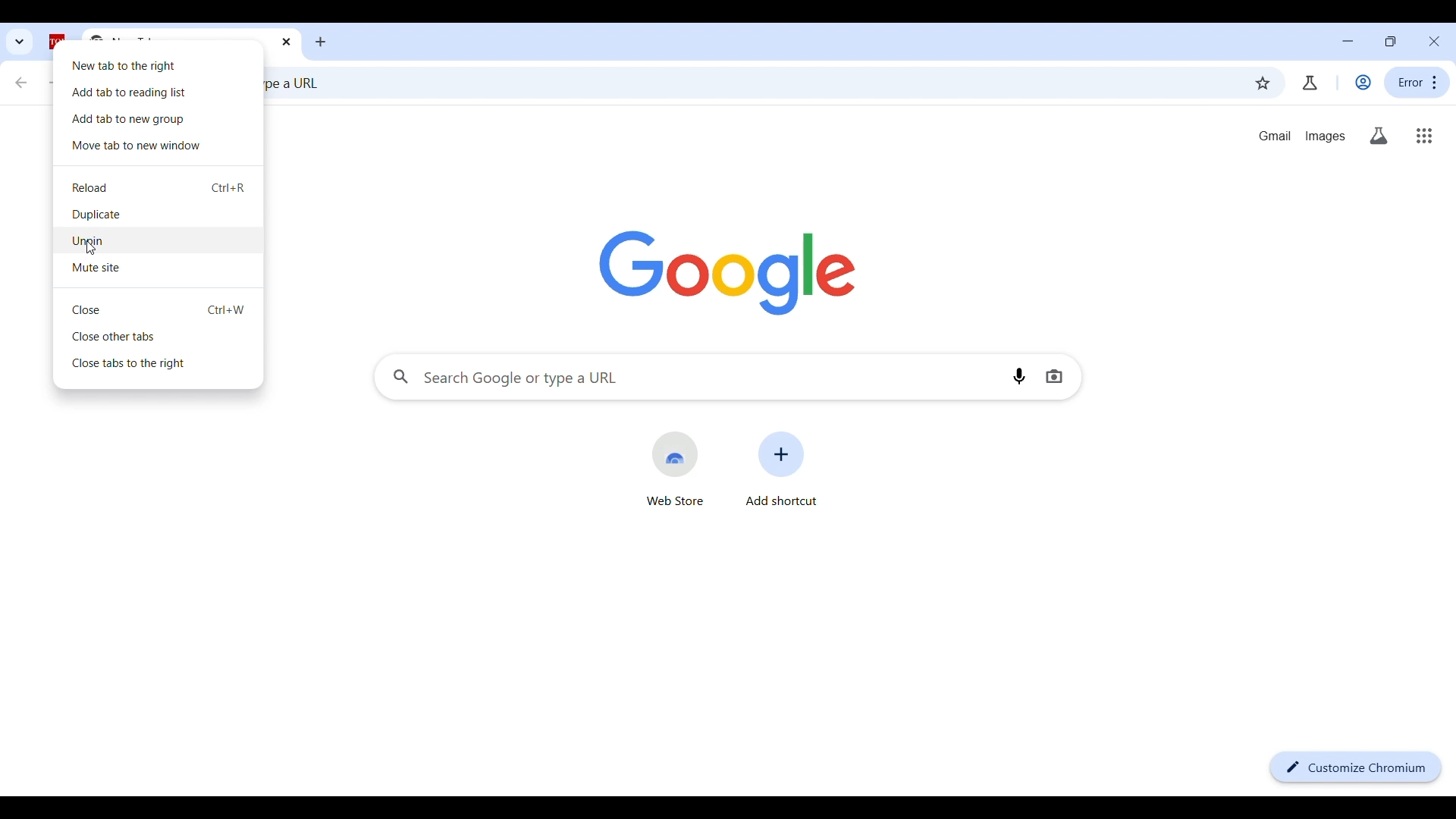 The image size is (1456, 819). What do you see at coordinates (1417, 82) in the screenshot?
I see `Customize and control Chromium` at bounding box center [1417, 82].